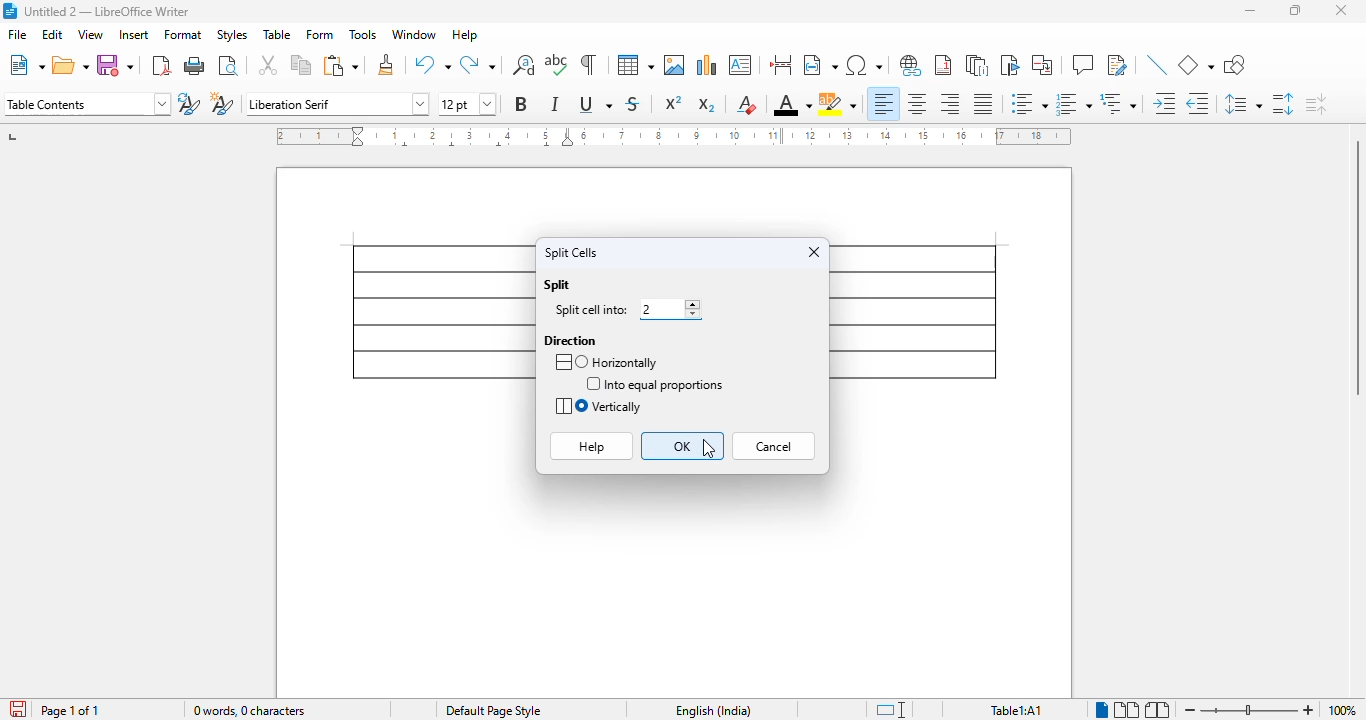 Image resolution: width=1366 pixels, height=720 pixels. Describe the element at coordinates (820, 64) in the screenshot. I see `insert field` at that location.